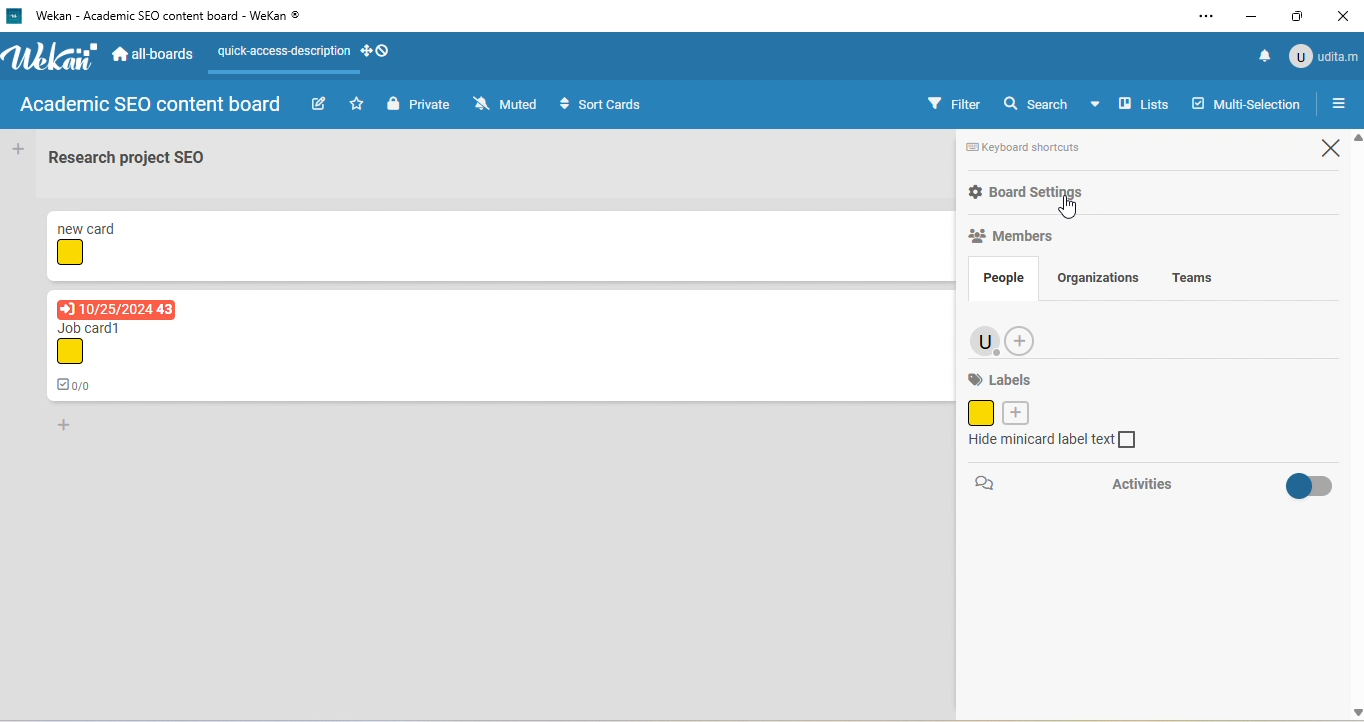 This screenshot has height=722, width=1364. I want to click on add, so click(19, 152).